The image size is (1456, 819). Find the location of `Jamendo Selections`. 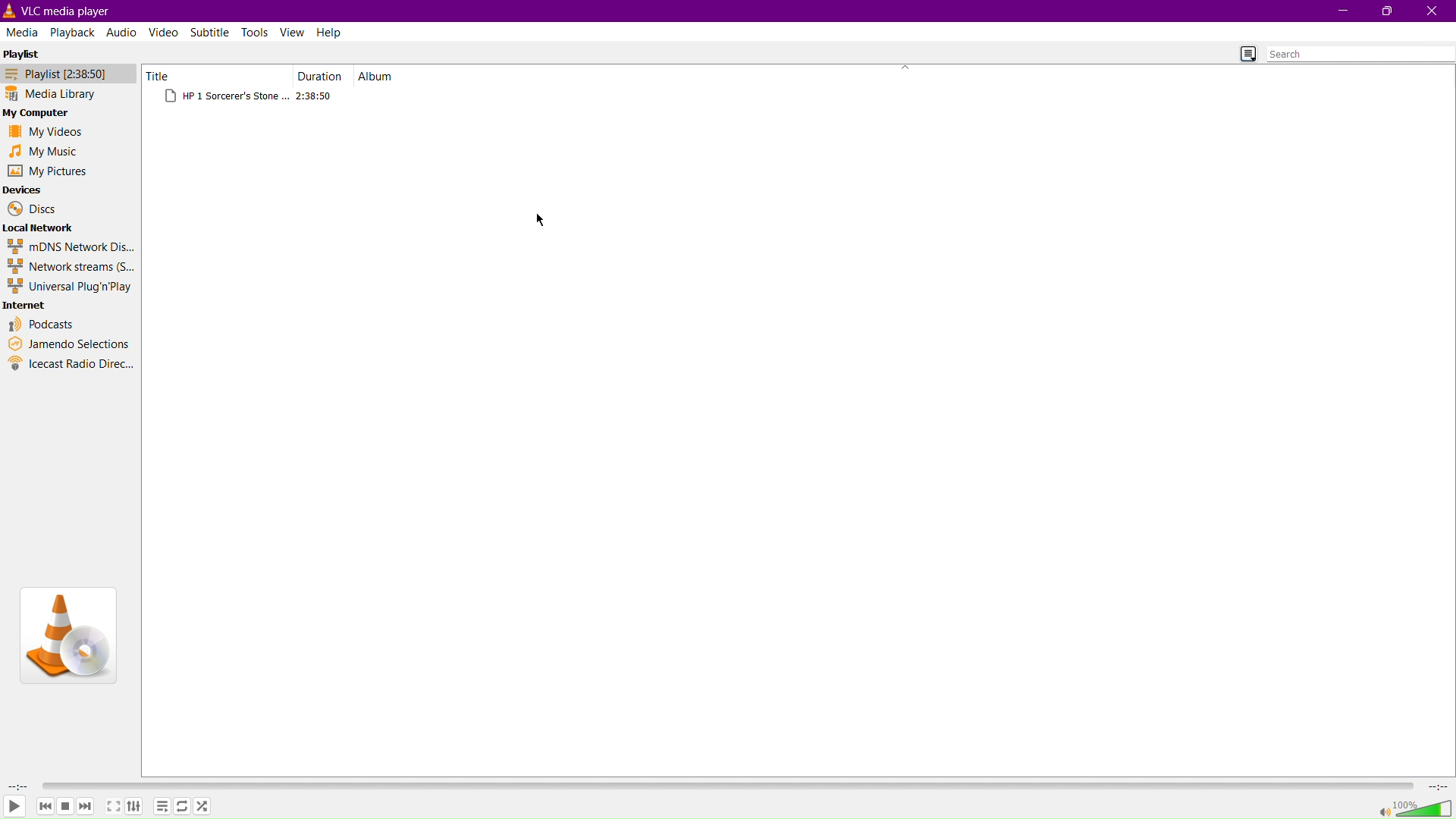

Jamendo Selections is located at coordinates (69, 344).